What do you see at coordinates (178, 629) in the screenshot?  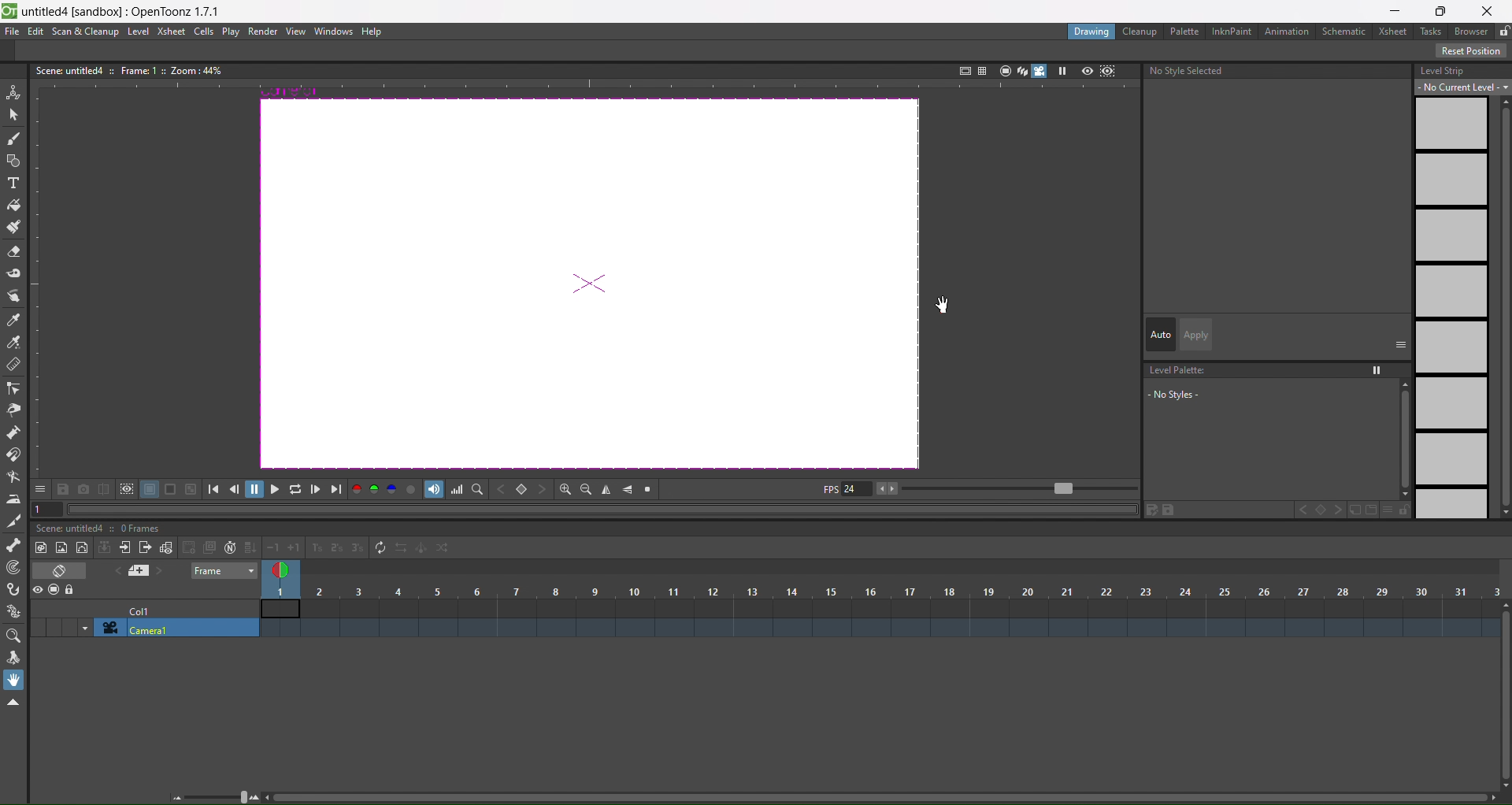 I see `camera1` at bounding box center [178, 629].